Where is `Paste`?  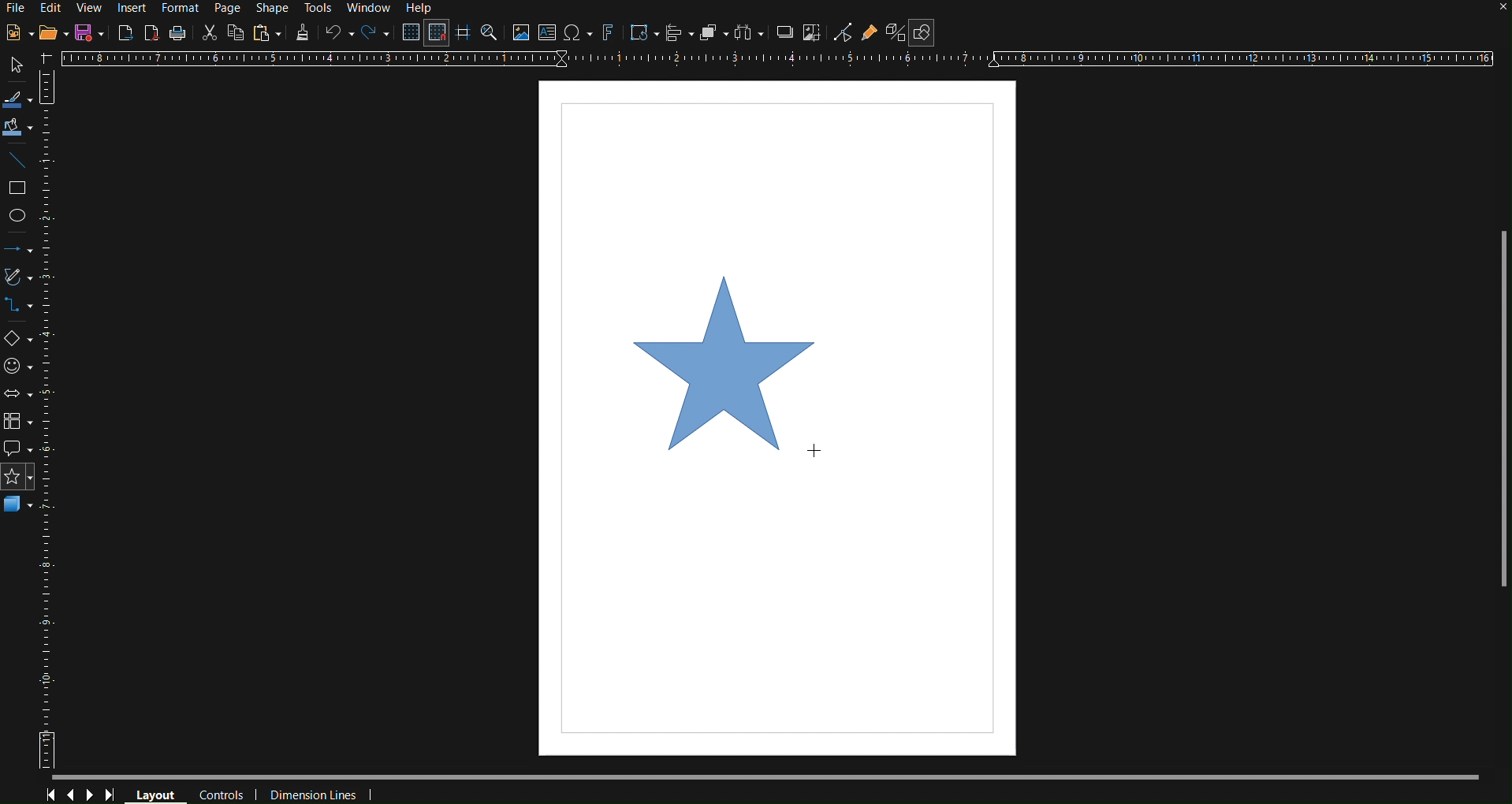 Paste is located at coordinates (266, 33).